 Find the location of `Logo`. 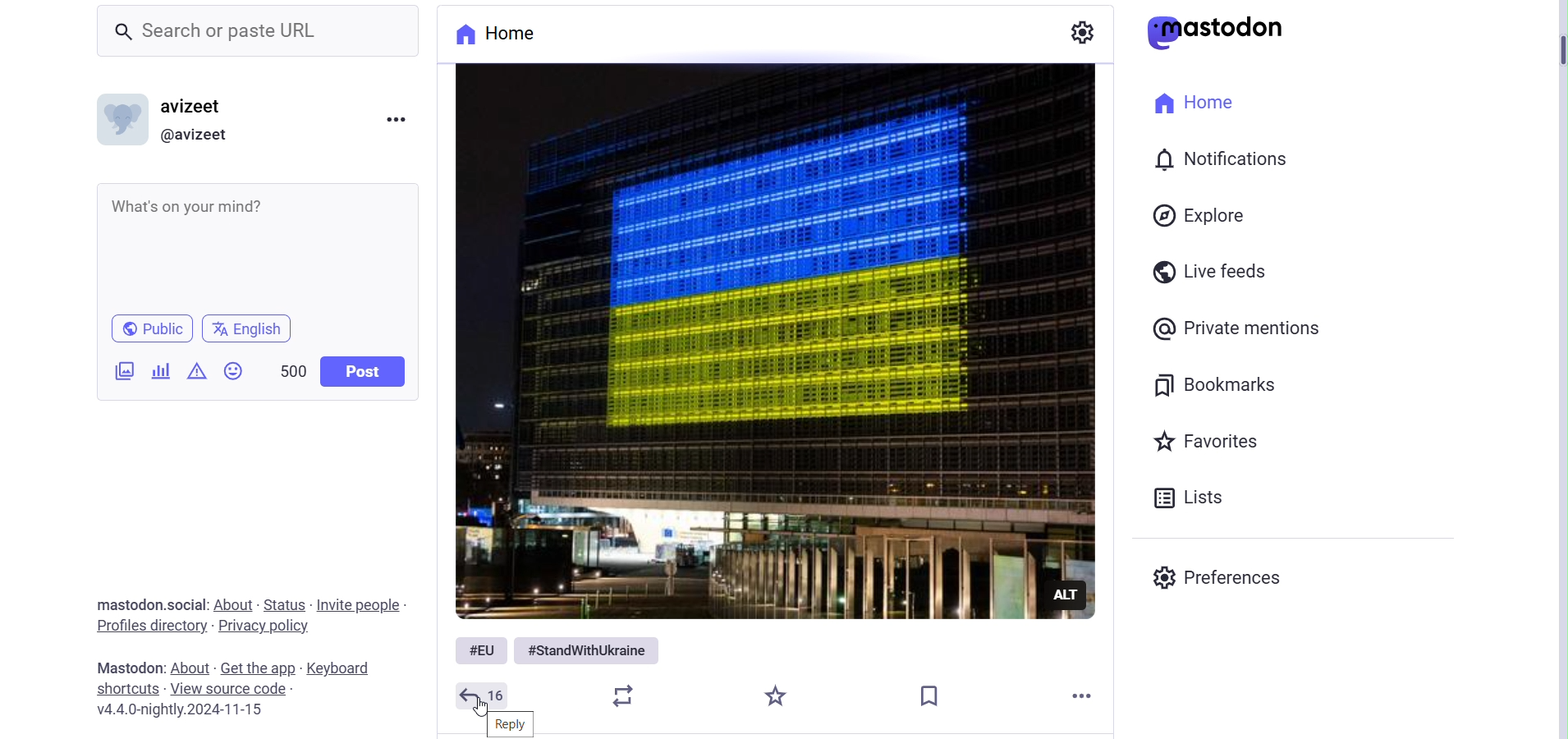

Logo is located at coordinates (1220, 32).